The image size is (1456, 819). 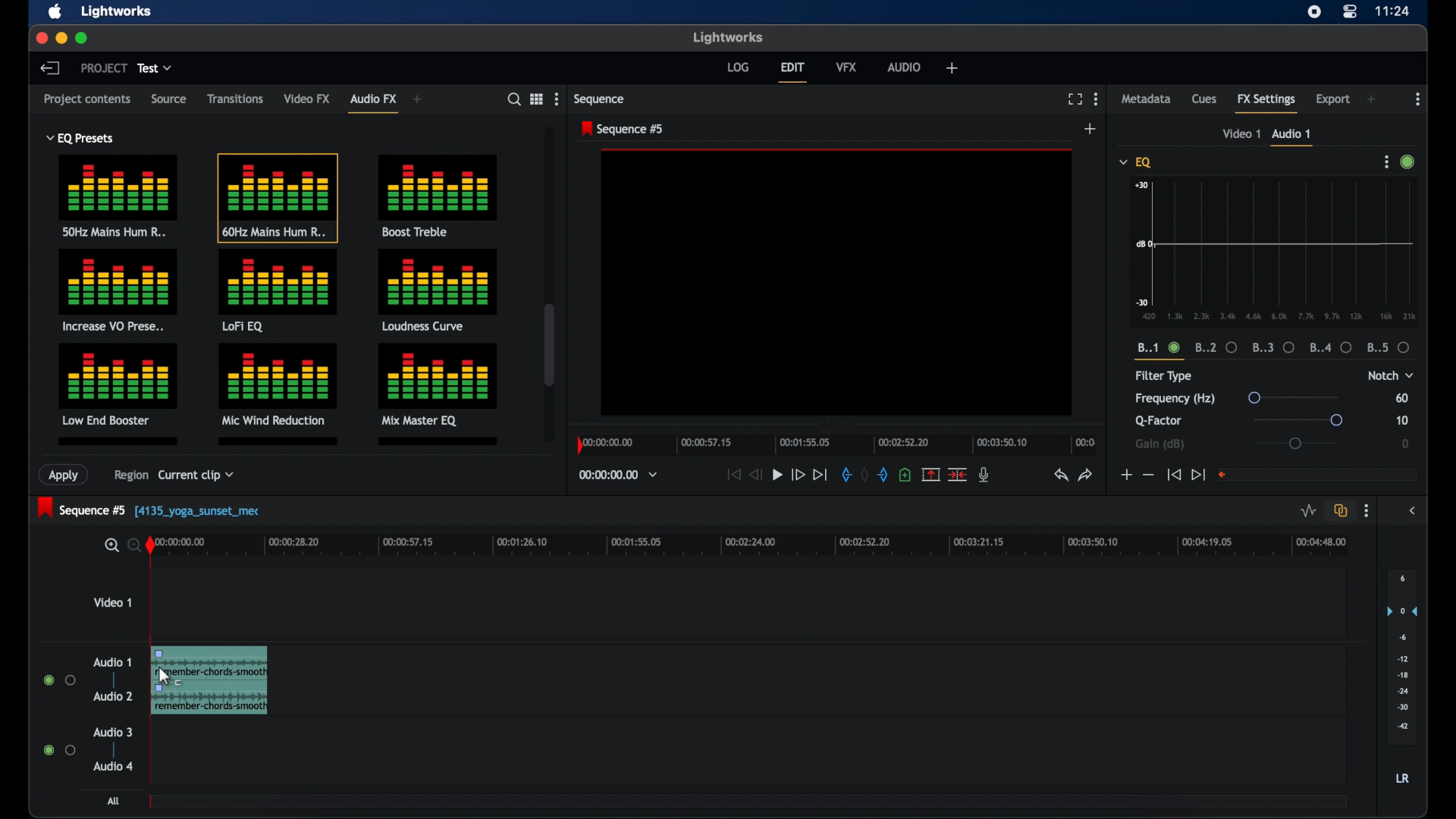 I want to click on add cue at current position, so click(x=905, y=473).